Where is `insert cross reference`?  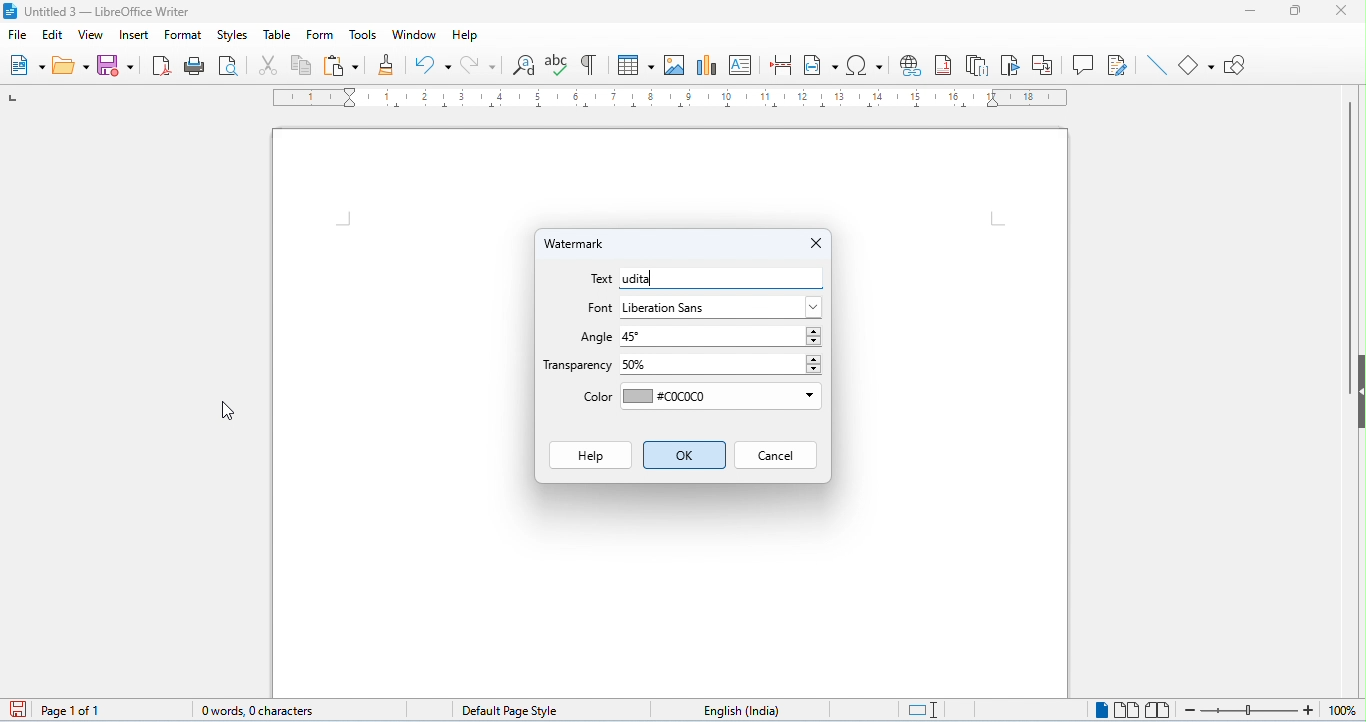 insert cross reference is located at coordinates (1045, 67).